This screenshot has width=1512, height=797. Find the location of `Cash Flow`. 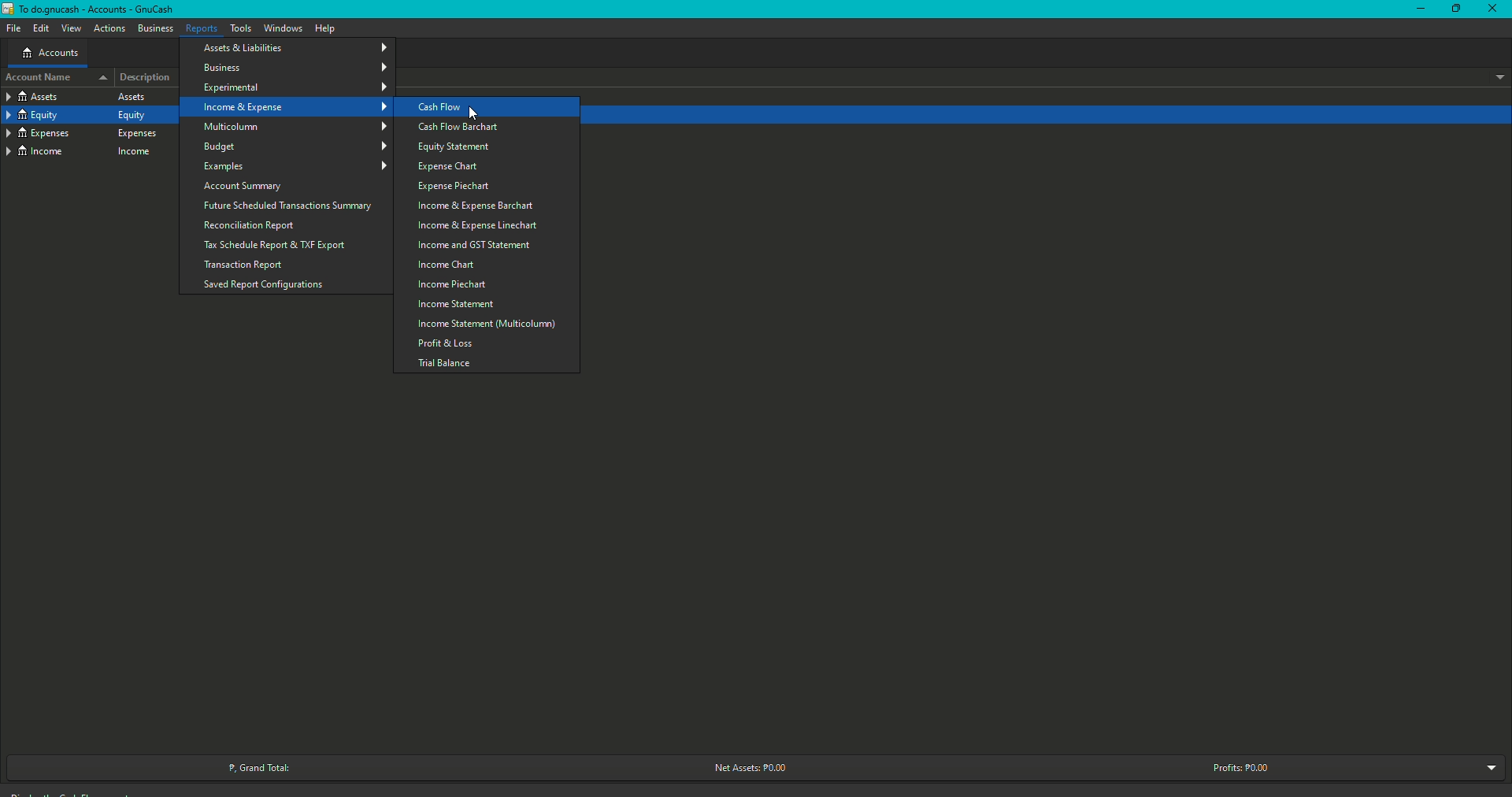

Cash Flow is located at coordinates (441, 106).